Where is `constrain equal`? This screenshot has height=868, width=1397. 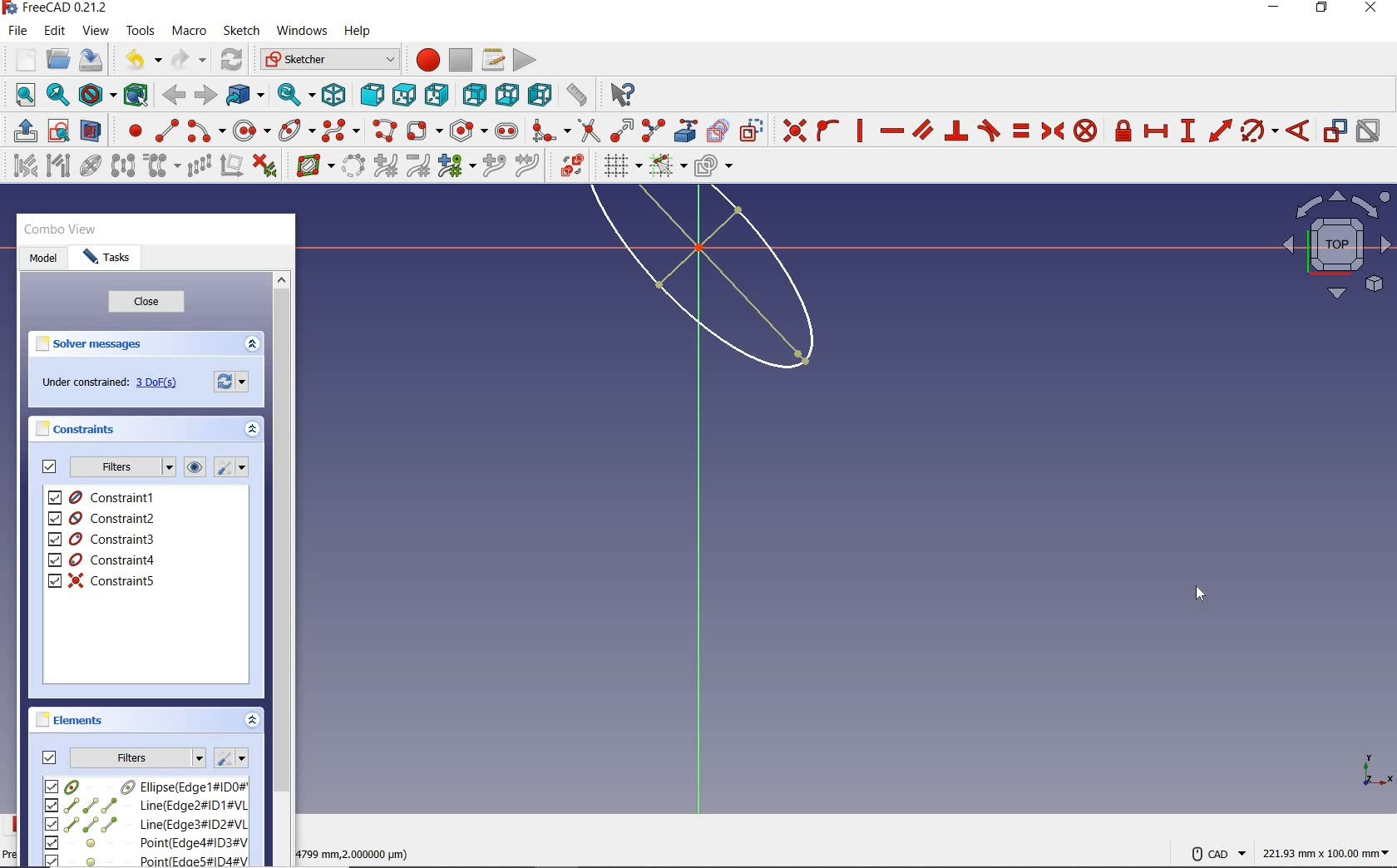 constrain equal is located at coordinates (1022, 131).